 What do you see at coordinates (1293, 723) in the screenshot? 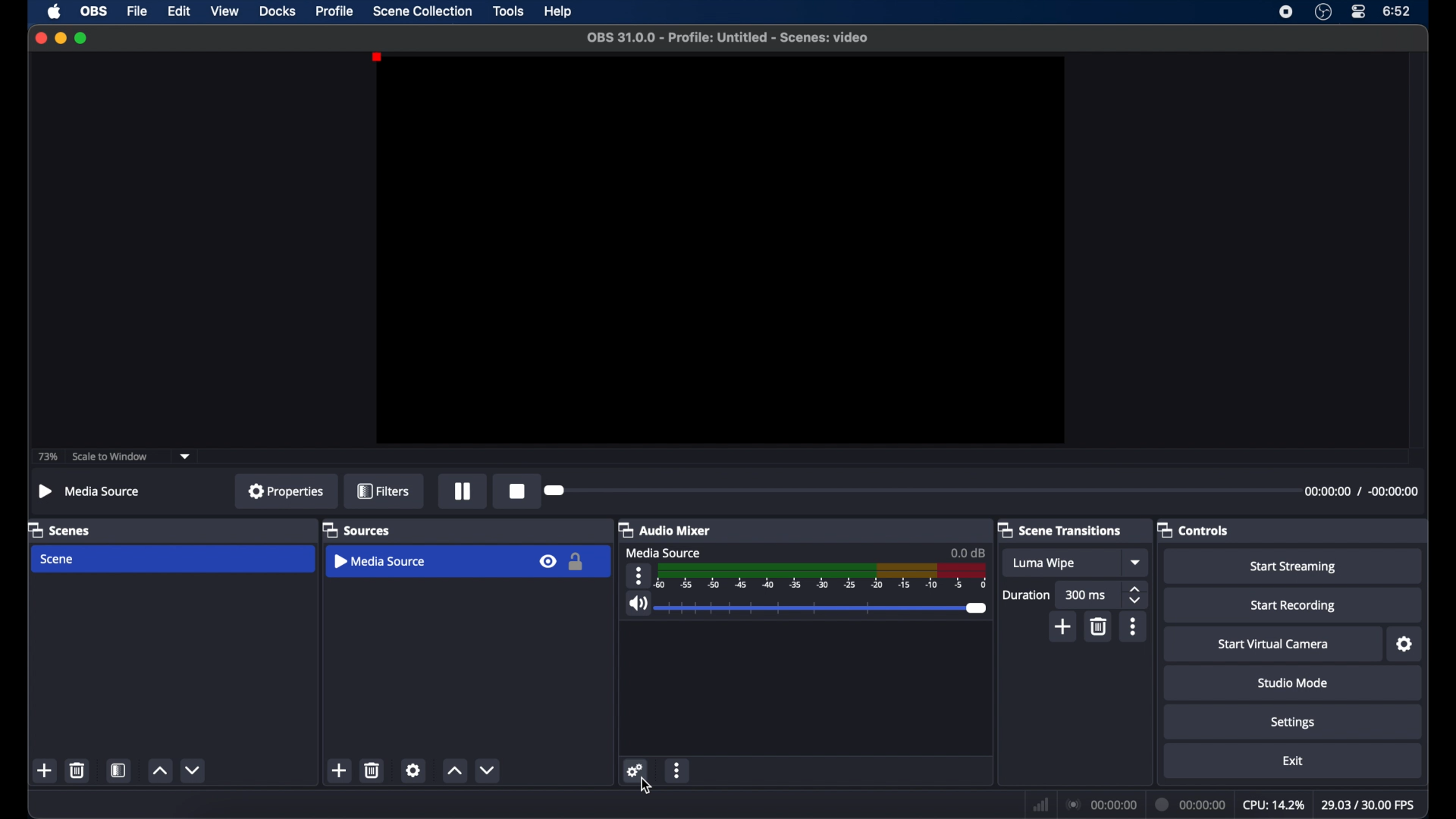
I see `settings` at bounding box center [1293, 723].